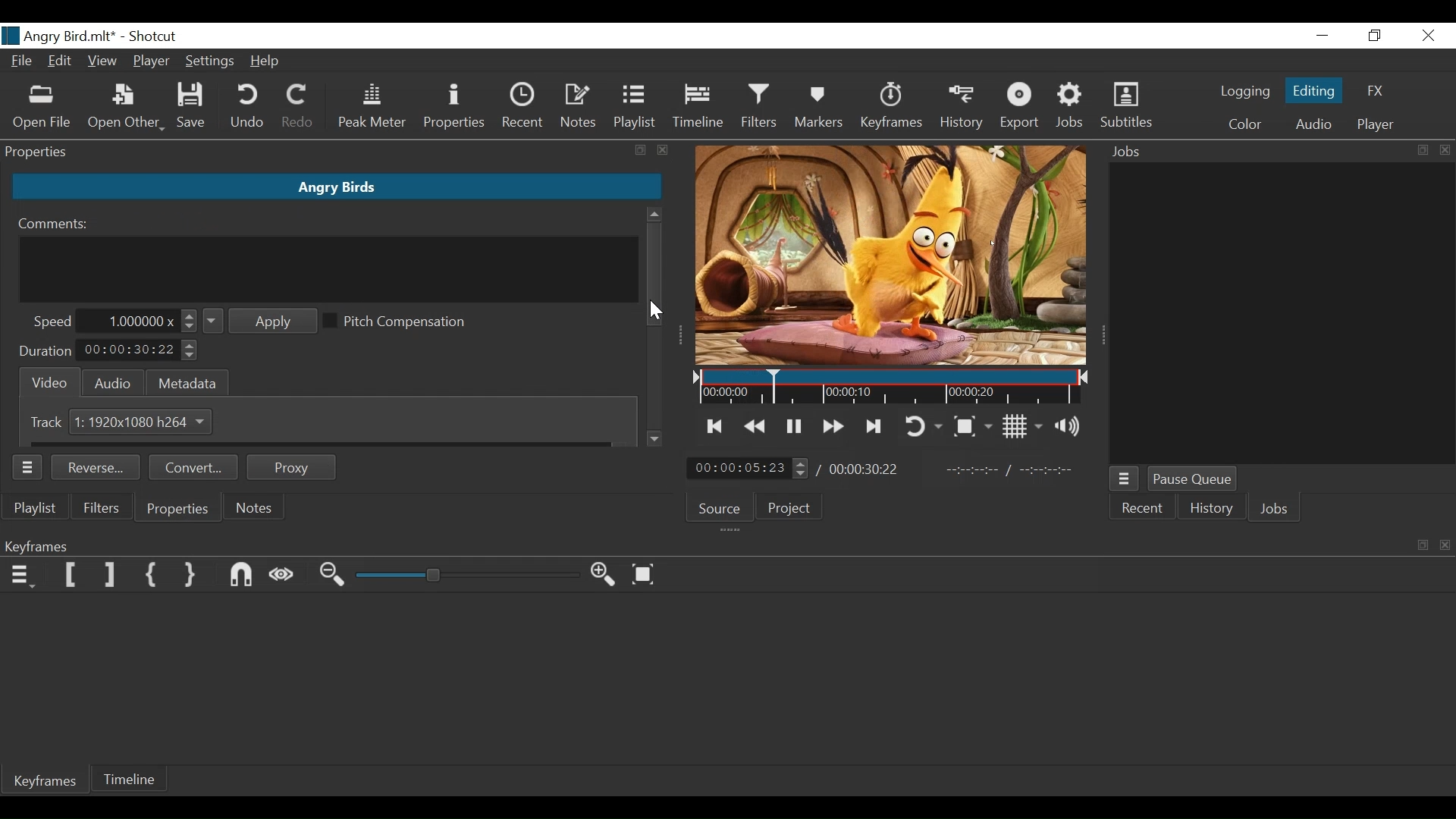 The width and height of the screenshot is (1456, 819). Describe the element at coordinates (1070, 108) in the screenshot. I see `Jobs` at that location.